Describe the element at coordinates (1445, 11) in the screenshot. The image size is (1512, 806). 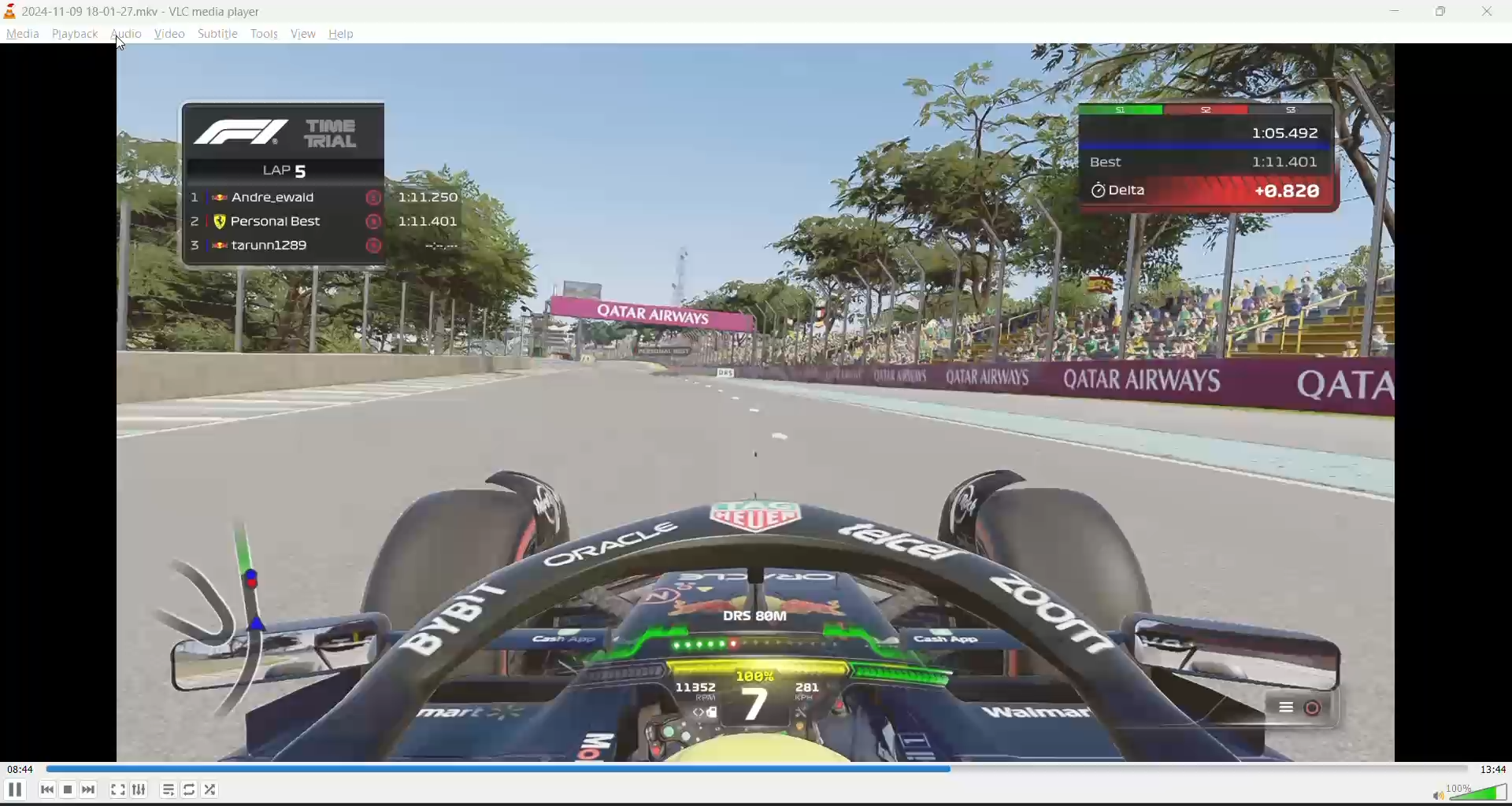
I see `maximize` at that location.